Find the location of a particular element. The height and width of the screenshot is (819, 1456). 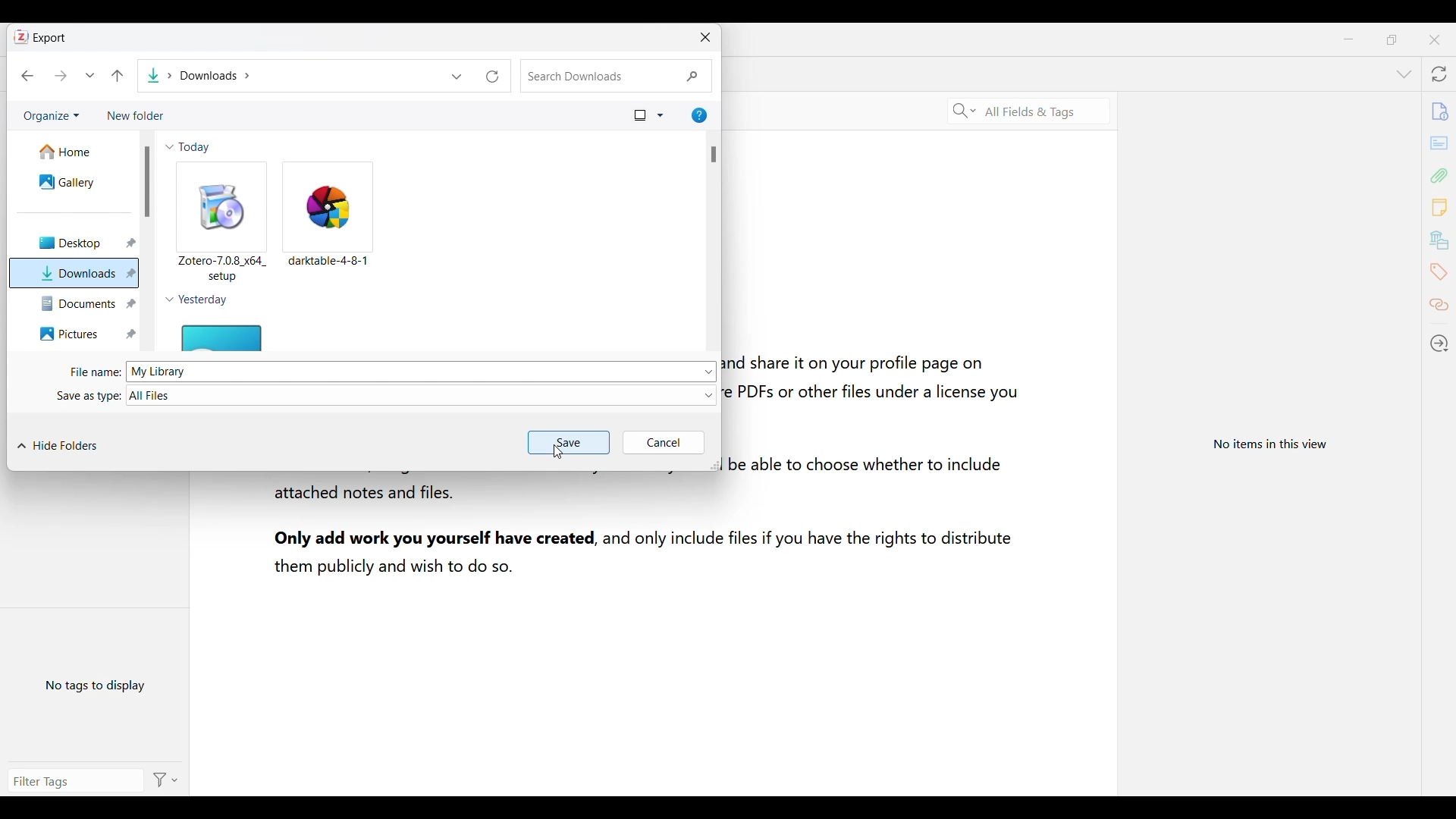

Notes is located at coordinates (1440, 207).